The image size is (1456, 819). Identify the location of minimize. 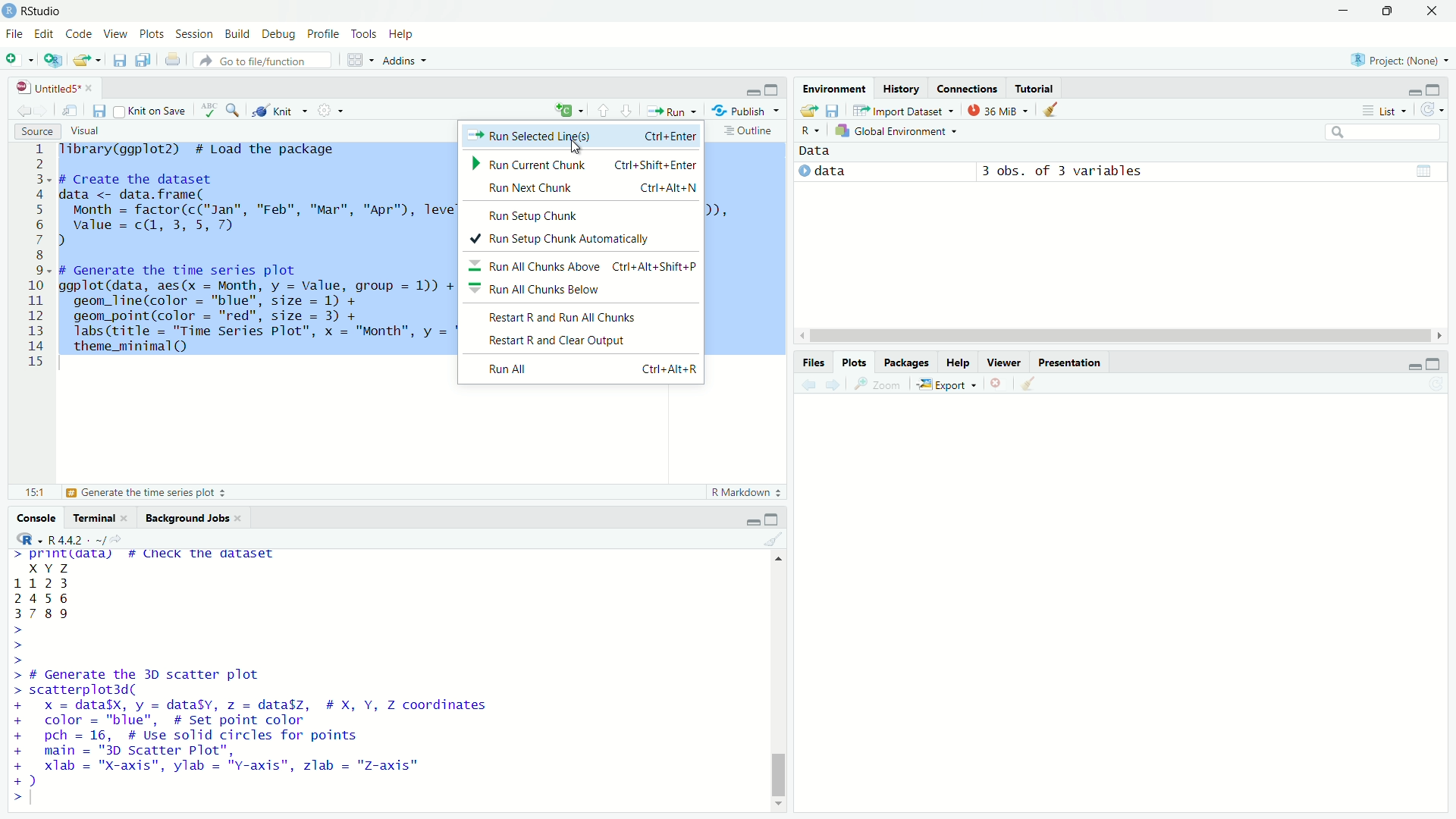
(751, 87).